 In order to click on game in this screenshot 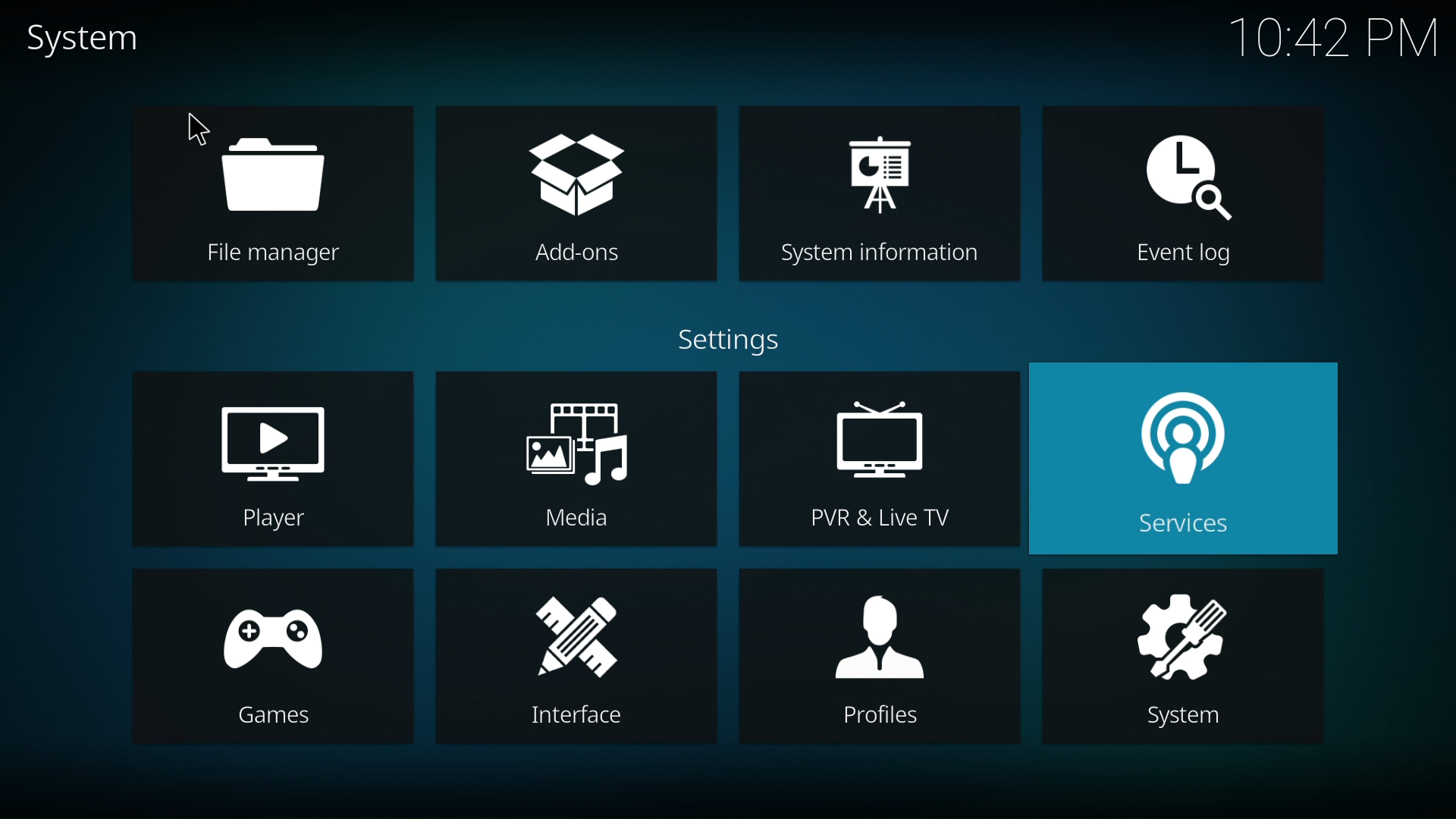, I will do `click(268, 656)`.